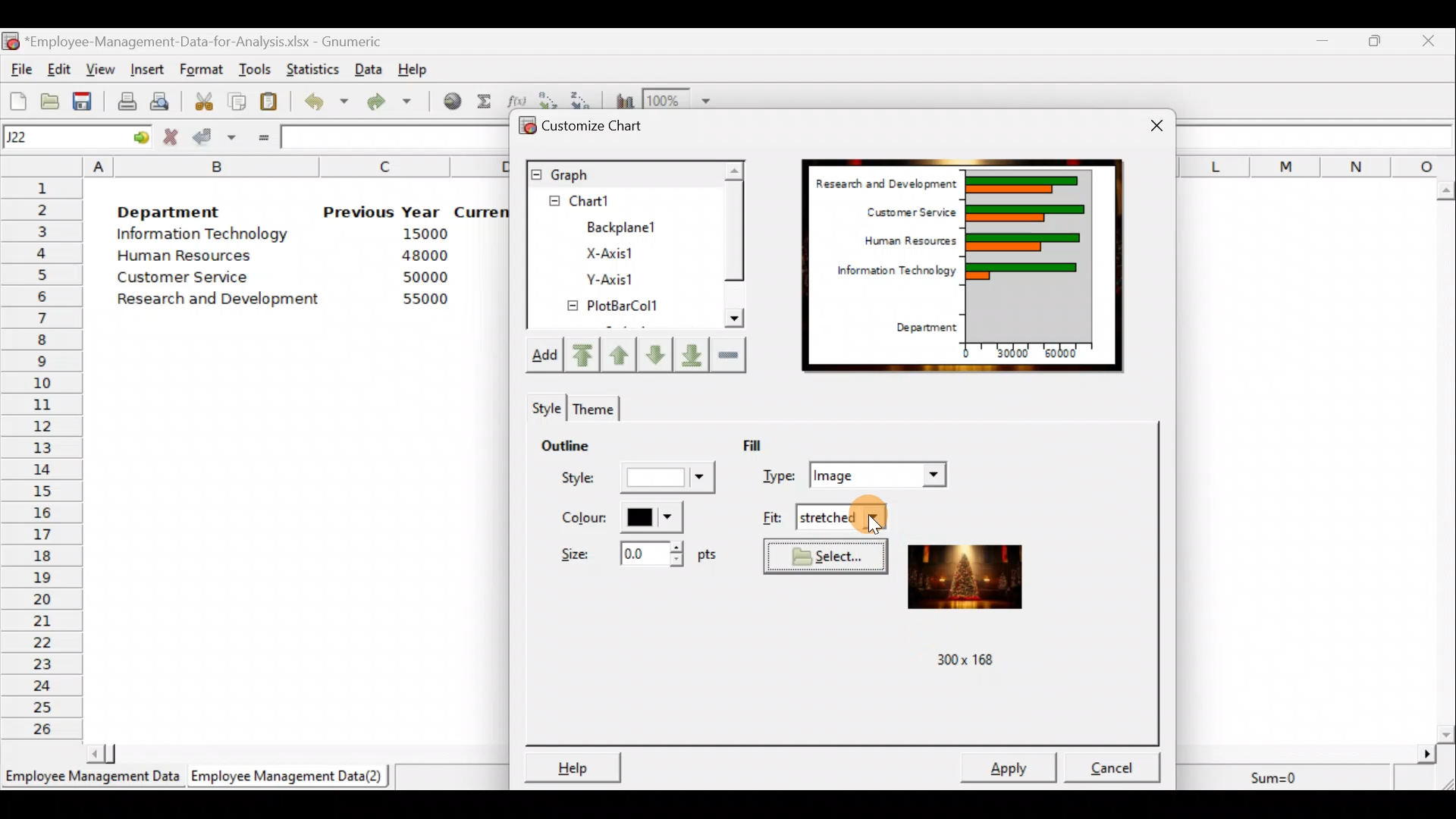 Image resolution: width=1456 pixels, height=819 pixels. Describe the element at coordinates (881, 513) in the screenshot. I see `Cursor on fit` at that location.